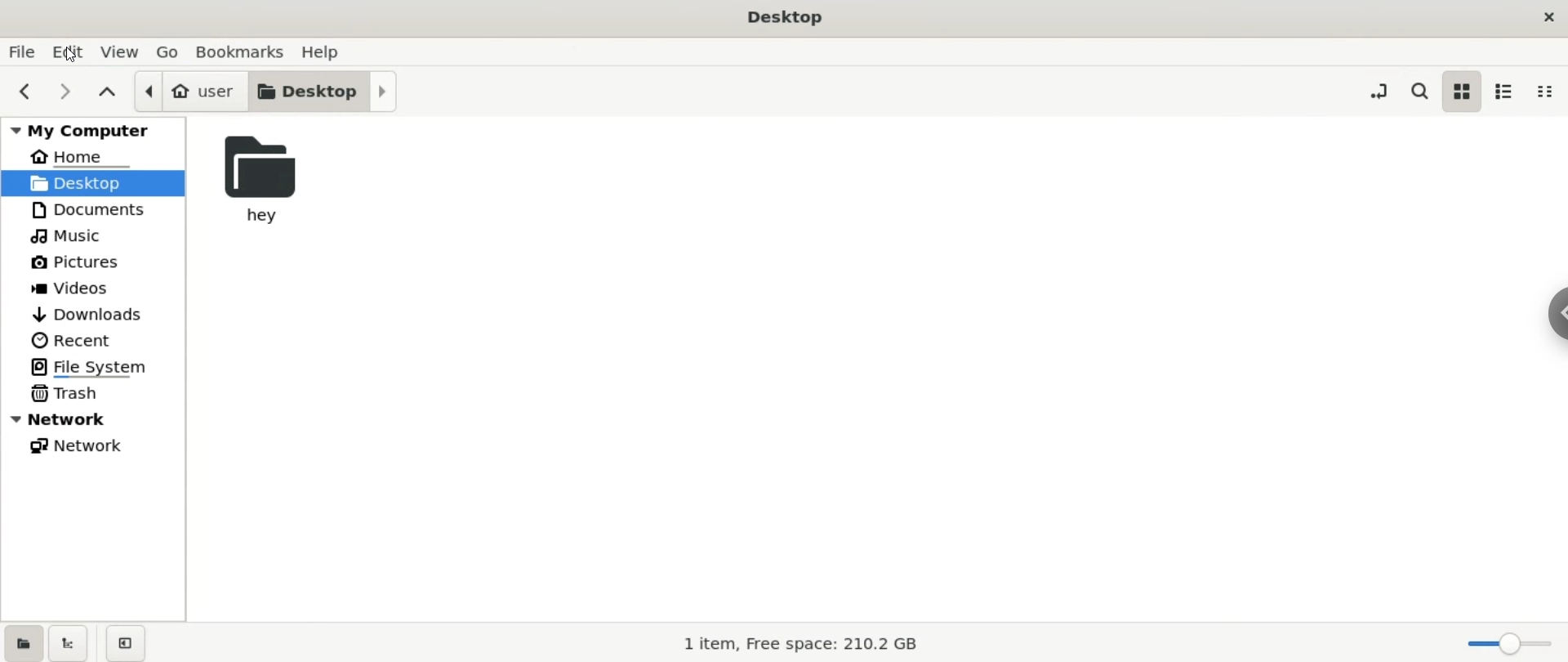 This screenshot has width=1568, height=662. I want to click on music, so click(67, 237).